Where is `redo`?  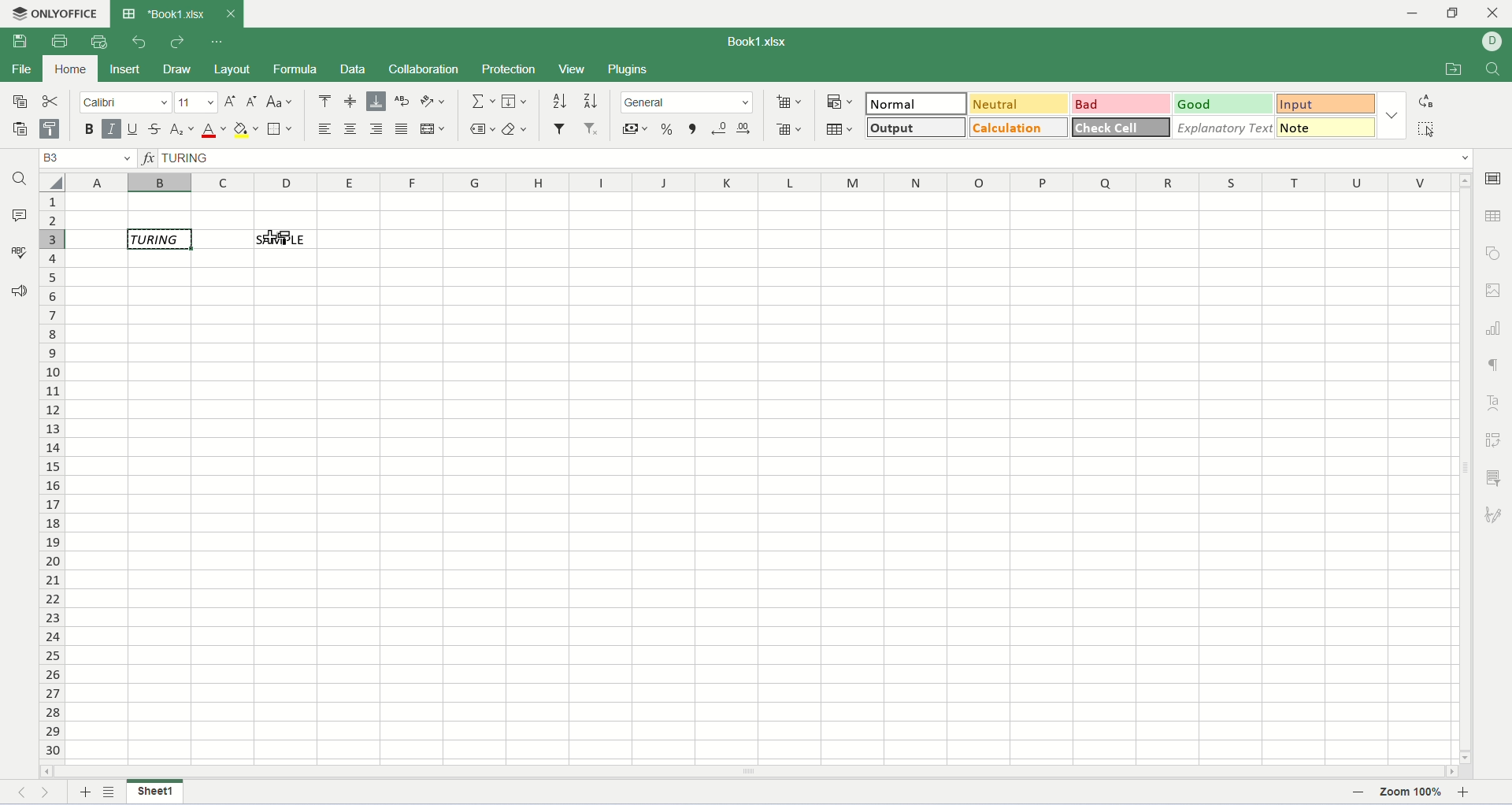
redo is located at coordinates (176, 43).